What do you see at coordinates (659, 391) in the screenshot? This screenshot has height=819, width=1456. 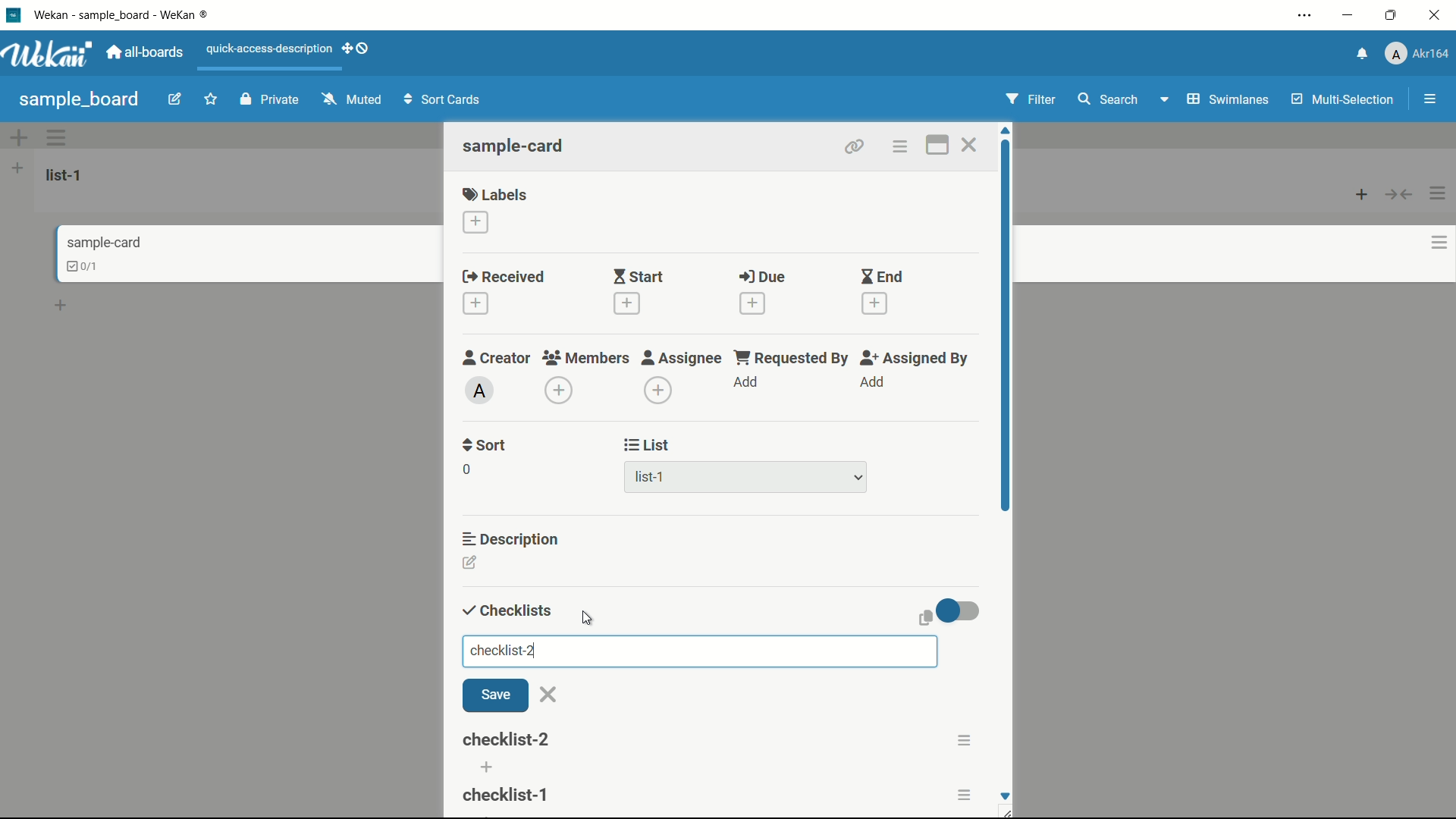 I see `add assignee` at bounding box center [659, 391].